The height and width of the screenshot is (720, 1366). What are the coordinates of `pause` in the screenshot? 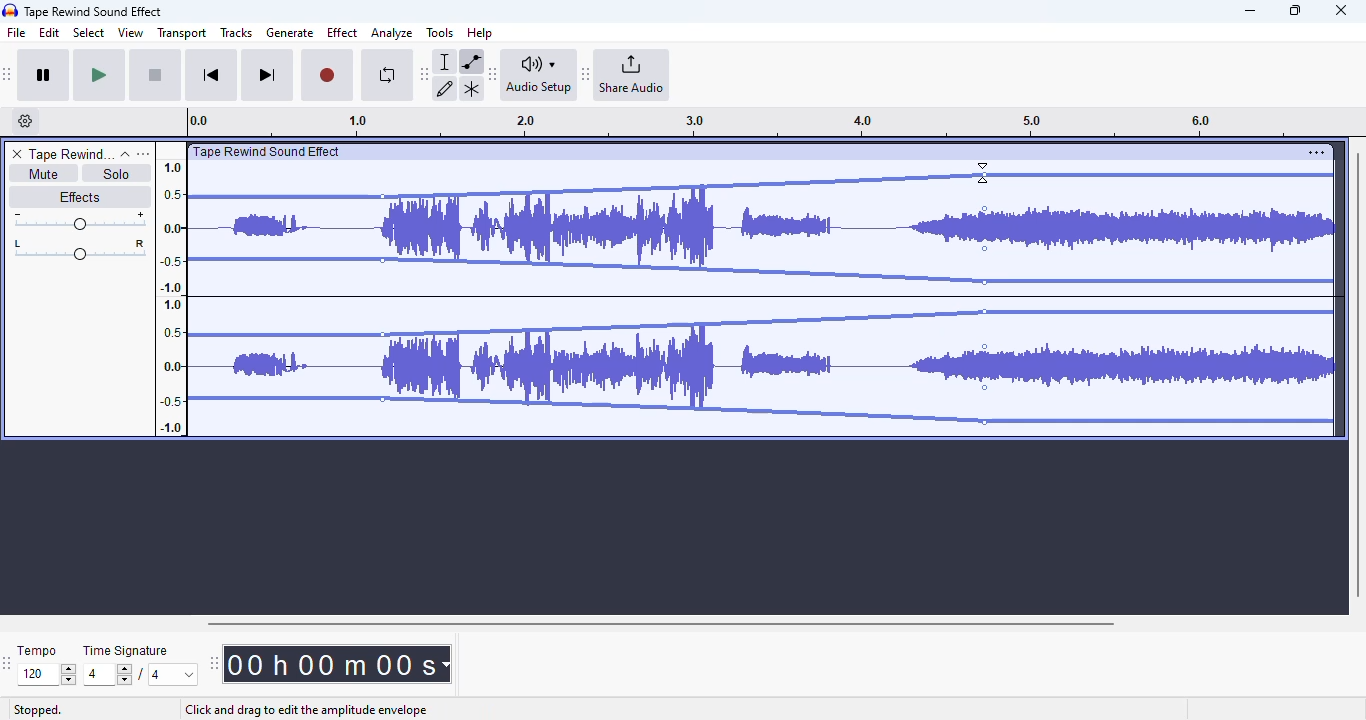 It's located at (44, 76).